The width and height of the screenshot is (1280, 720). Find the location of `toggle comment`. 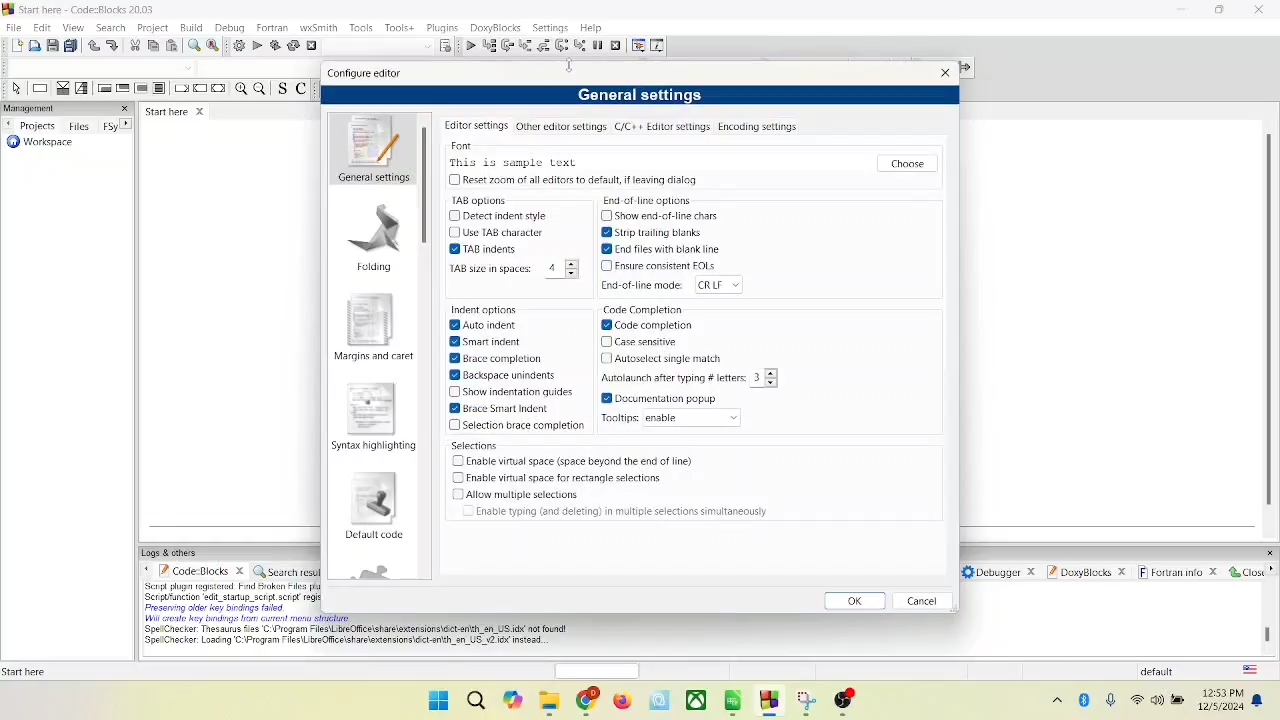

toggle comment is located at coordinates (300, 88).